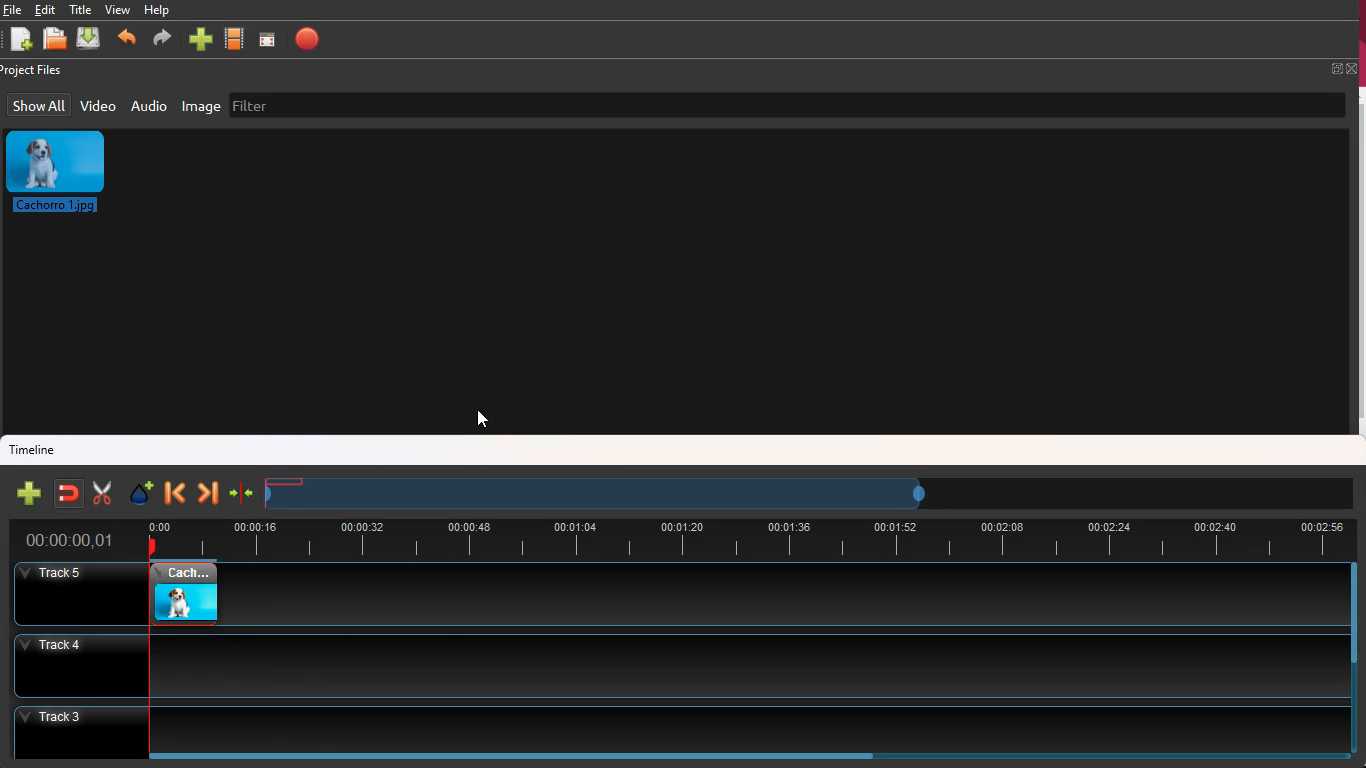  I want to click on more, so click(200, 39).